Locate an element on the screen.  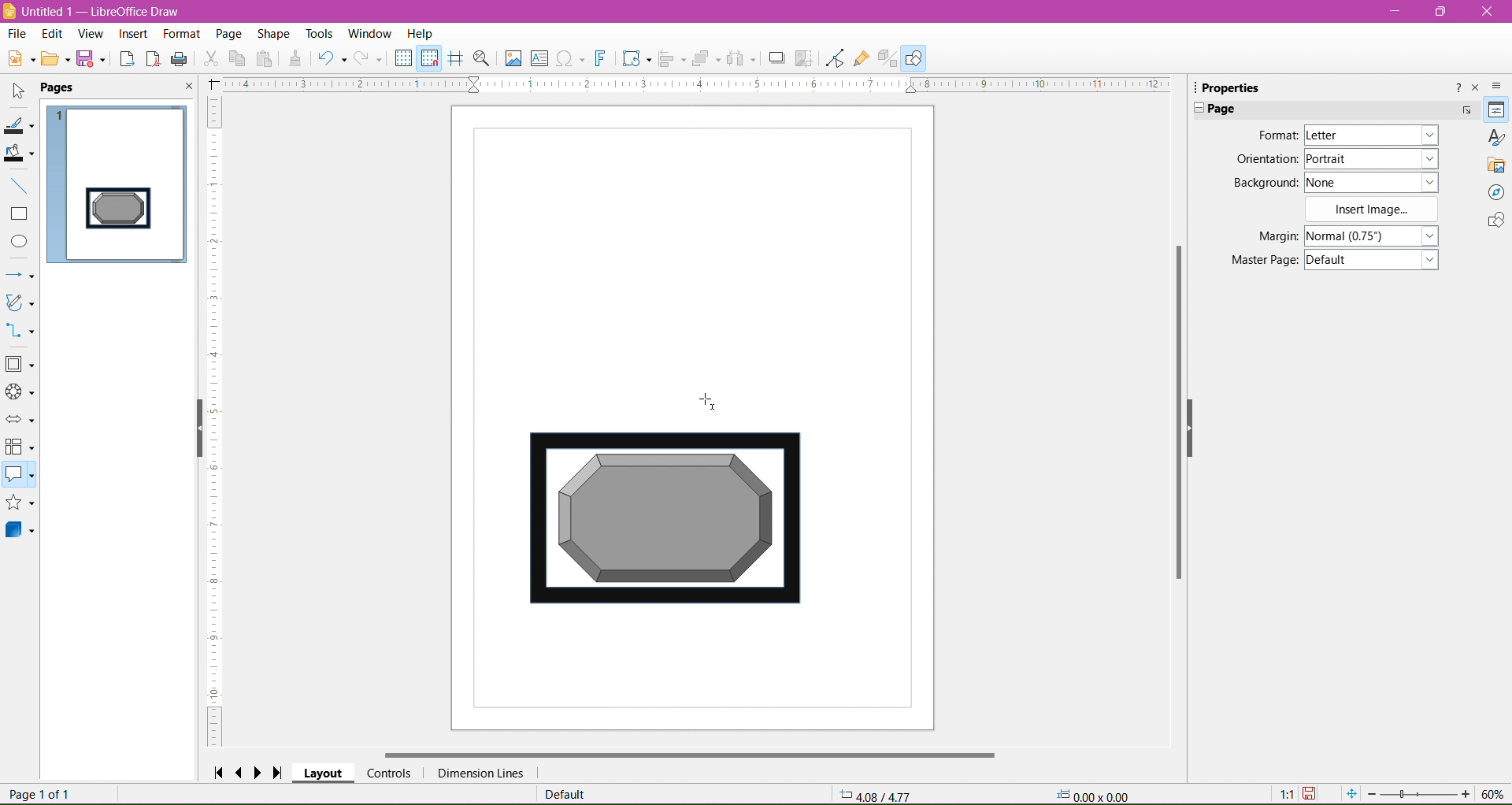
Help is located at coordinates (421, 33).